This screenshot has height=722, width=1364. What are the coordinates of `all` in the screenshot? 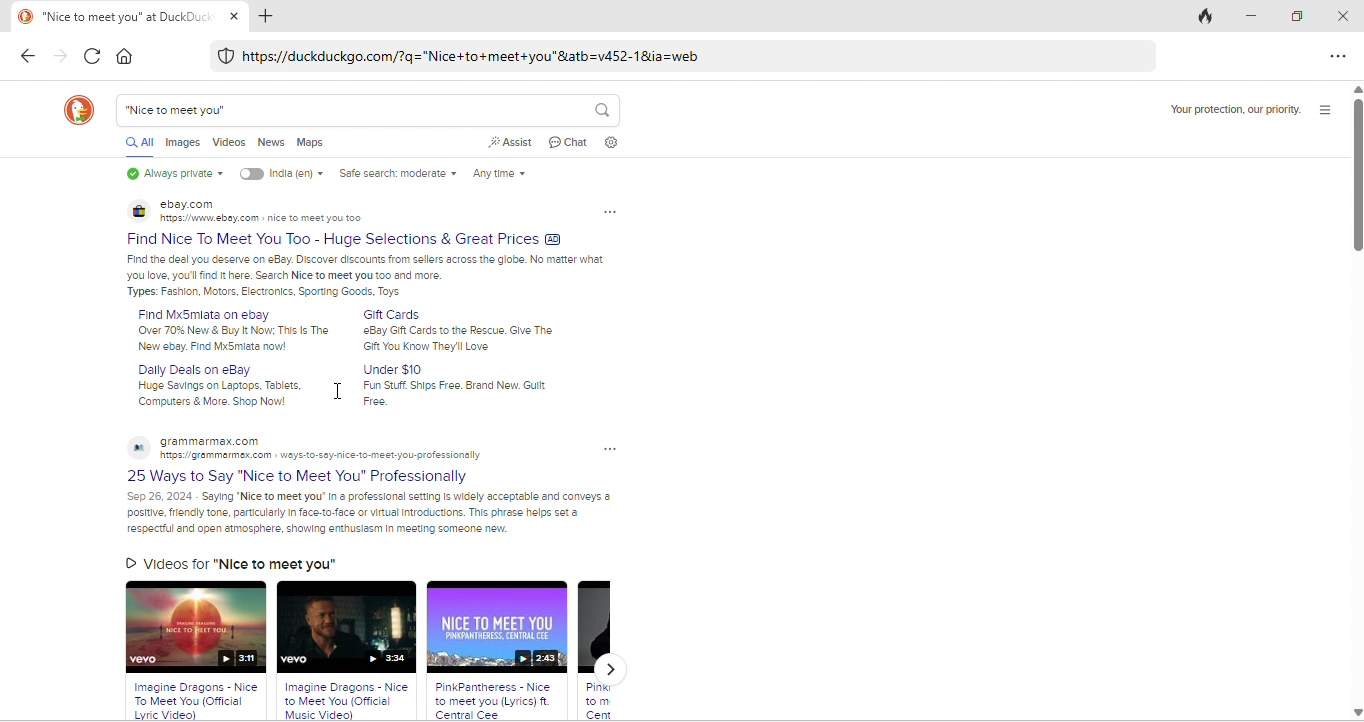 It's located at (140, 145).